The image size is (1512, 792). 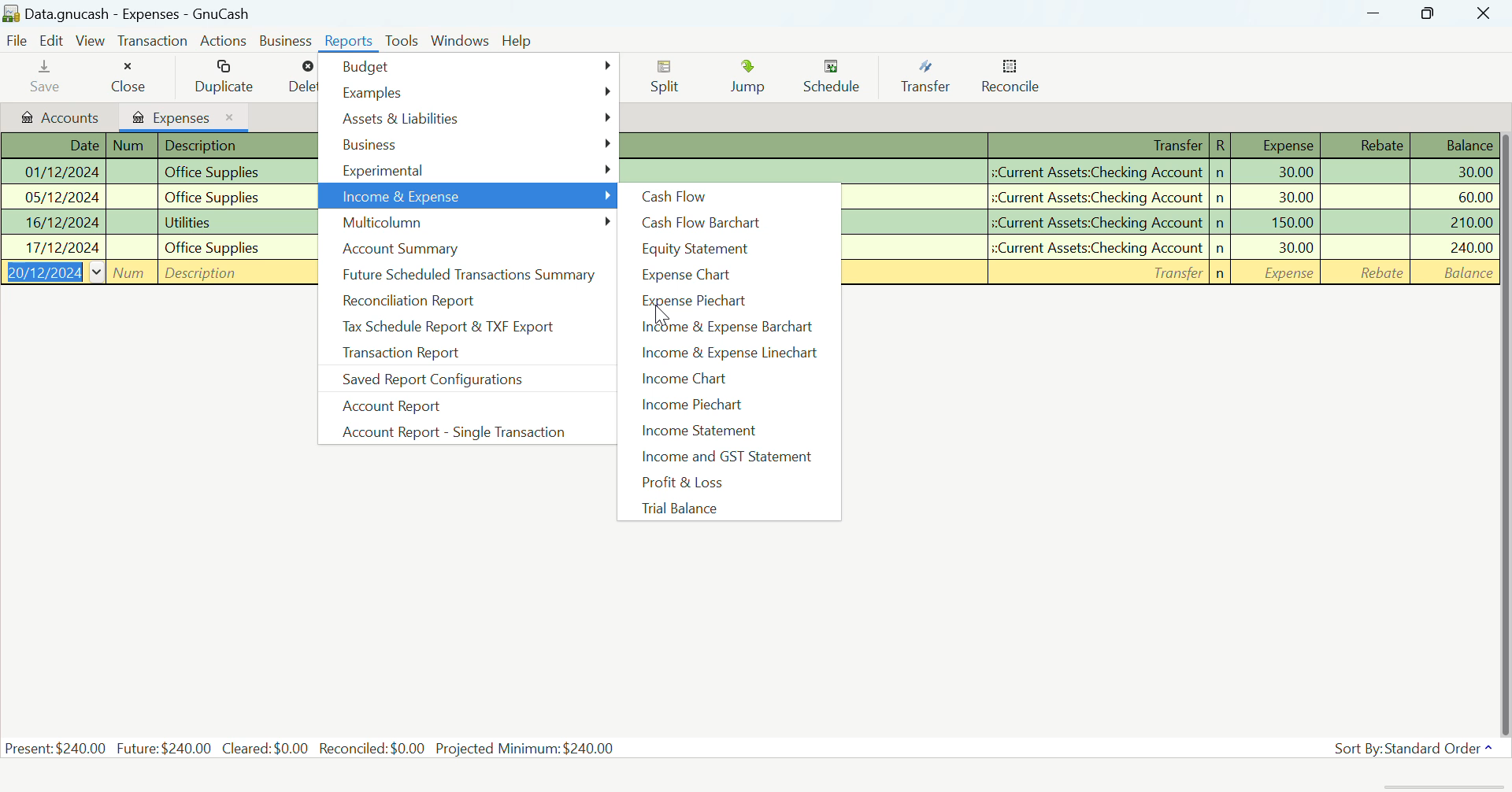 What do you see at coordinates (152, 222) in the screenshot?
I see `Office Supplies Transaction` at bounding box center [152, 222].